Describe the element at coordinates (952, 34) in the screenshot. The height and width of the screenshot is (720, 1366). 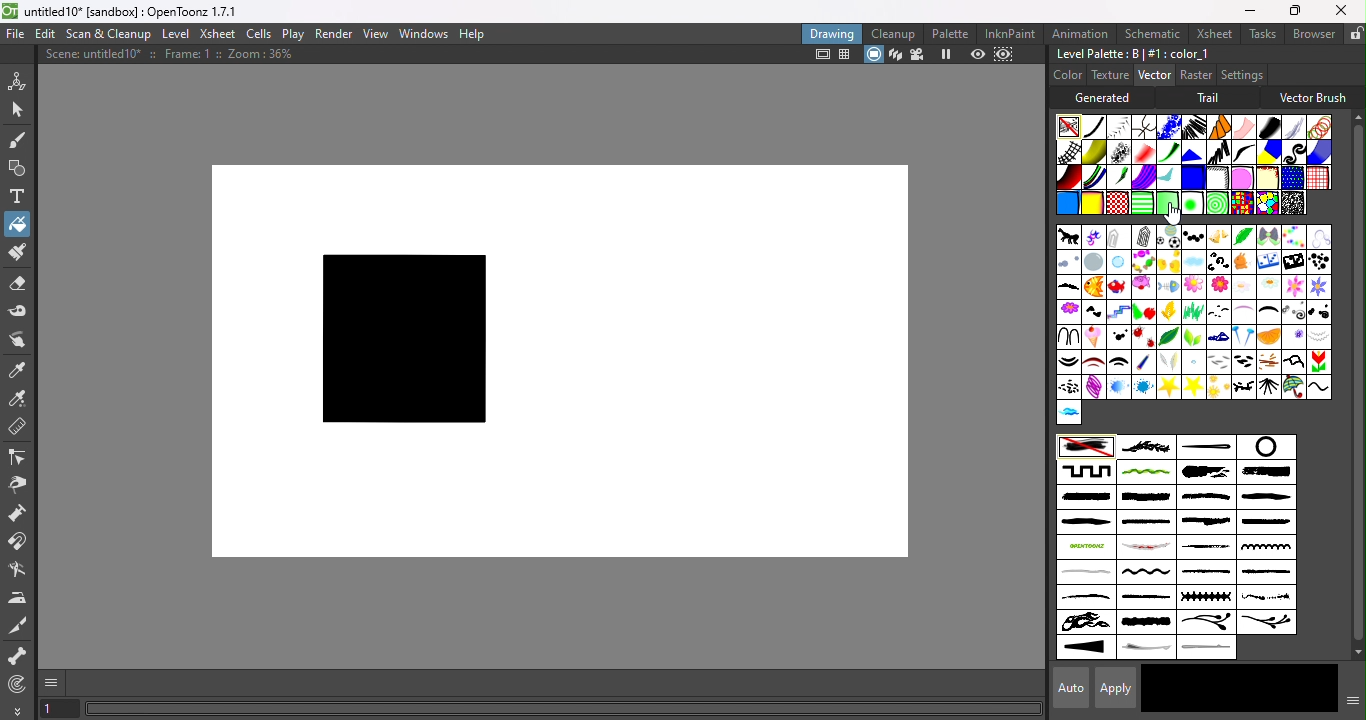
I see `Palette` at that location.